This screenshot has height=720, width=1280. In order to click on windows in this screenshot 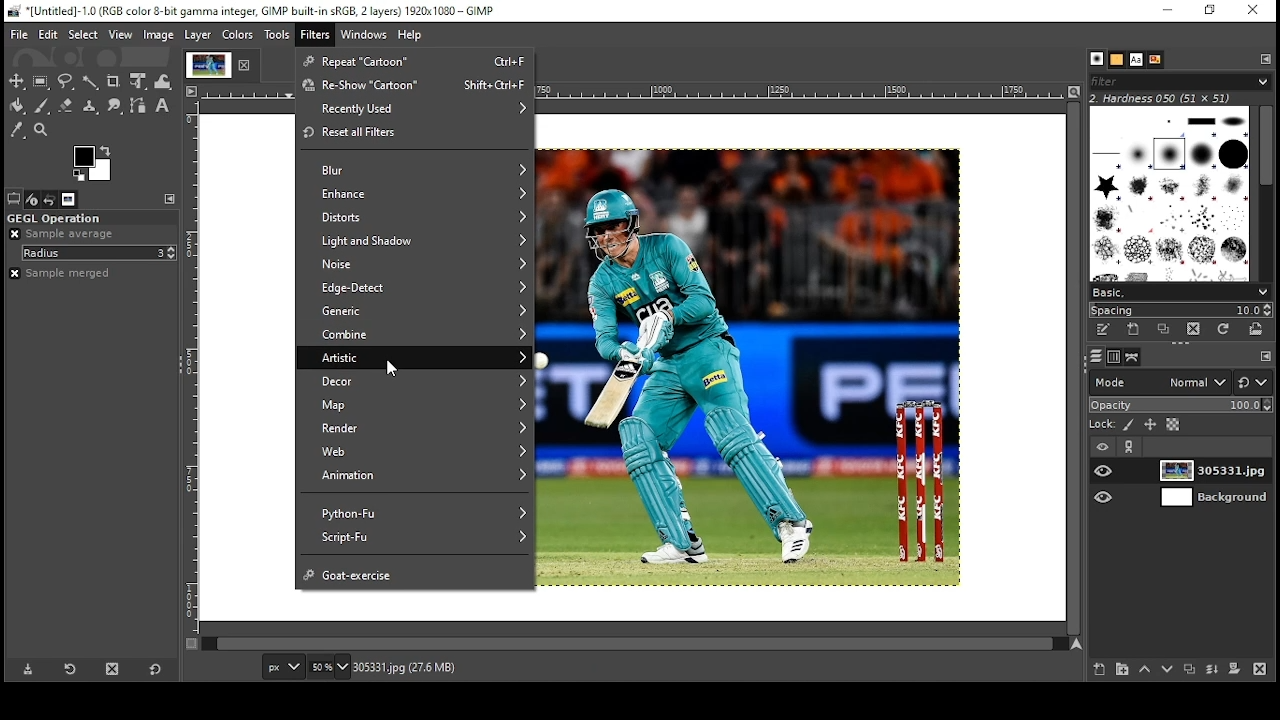, I will do `click(363, 35)`.